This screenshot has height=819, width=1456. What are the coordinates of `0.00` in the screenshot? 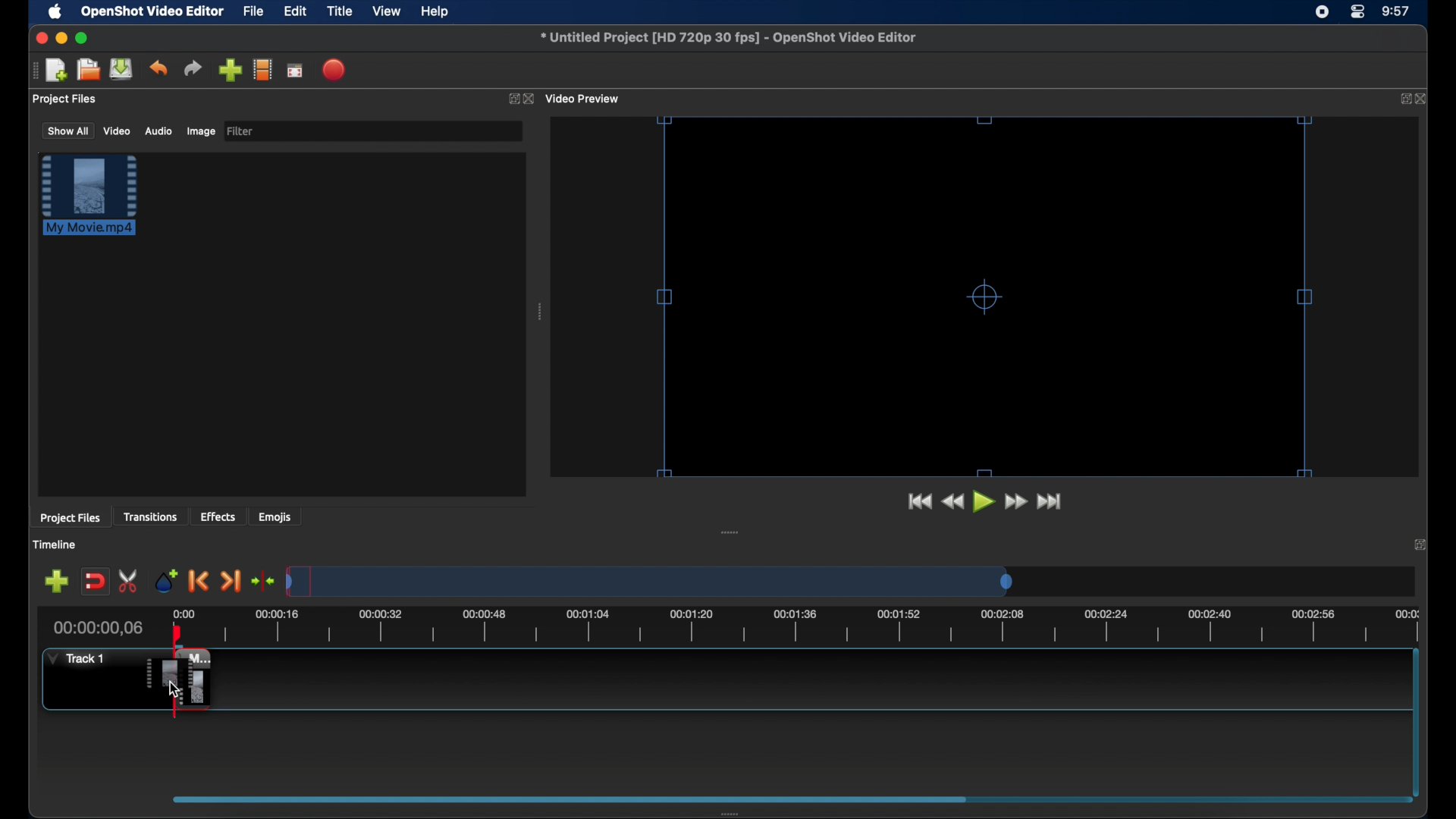 It's located at (184, 613).